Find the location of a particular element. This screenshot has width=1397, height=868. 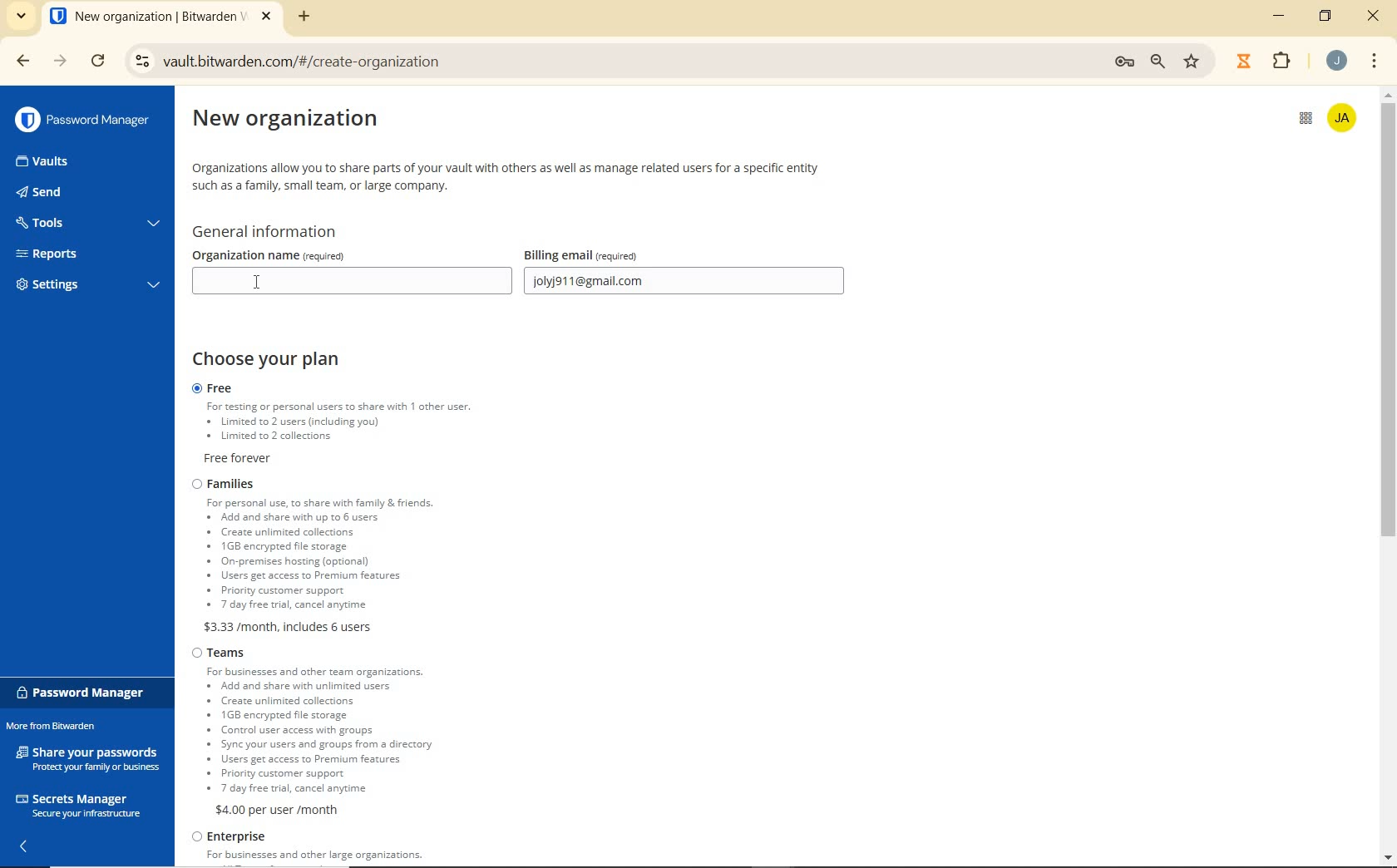

vaults is located at coordinates (57, 162).